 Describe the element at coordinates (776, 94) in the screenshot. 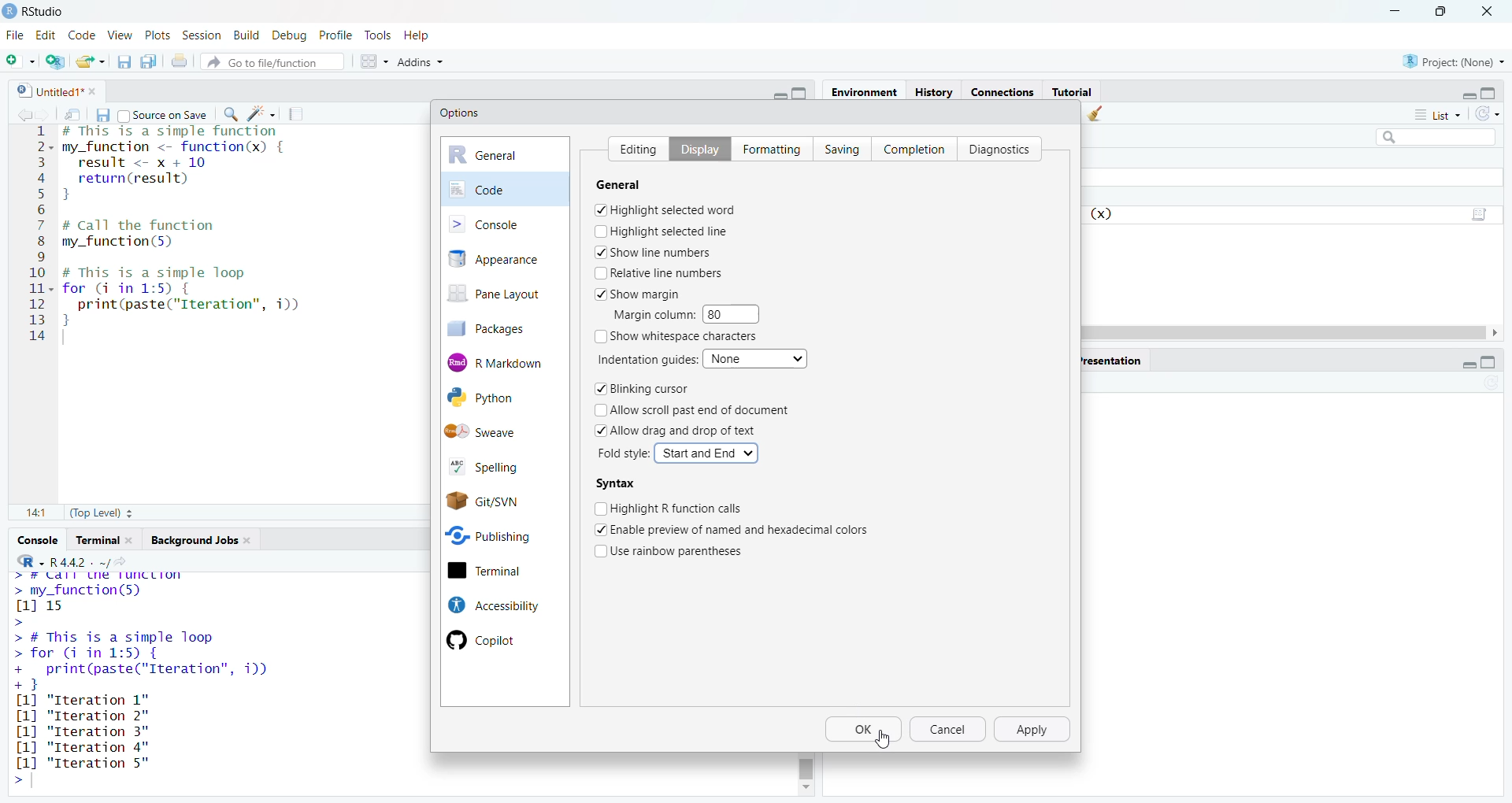

I see `minimize` at that location.